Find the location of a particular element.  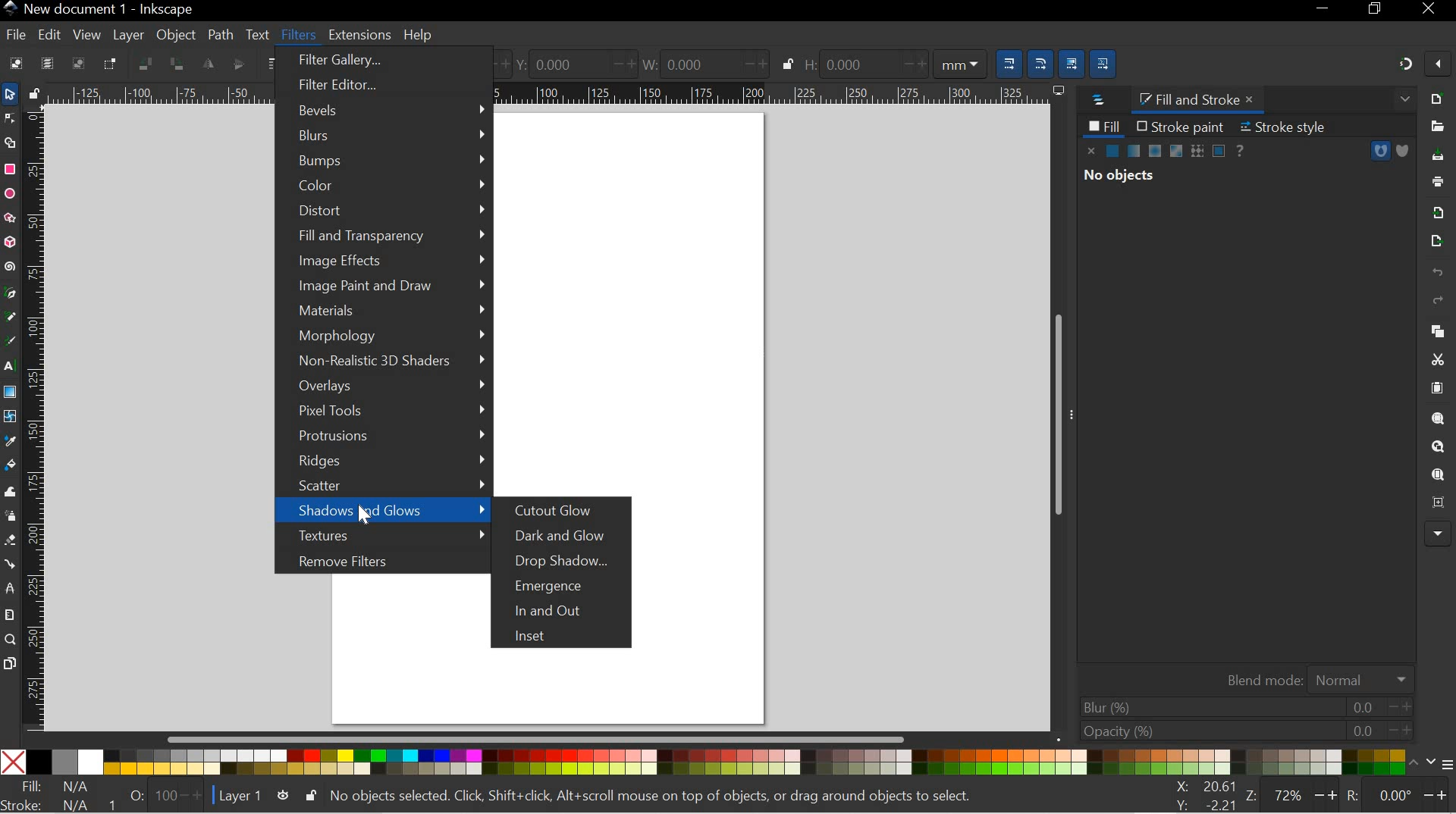

WIDTH is located at coordinates (701, 62).